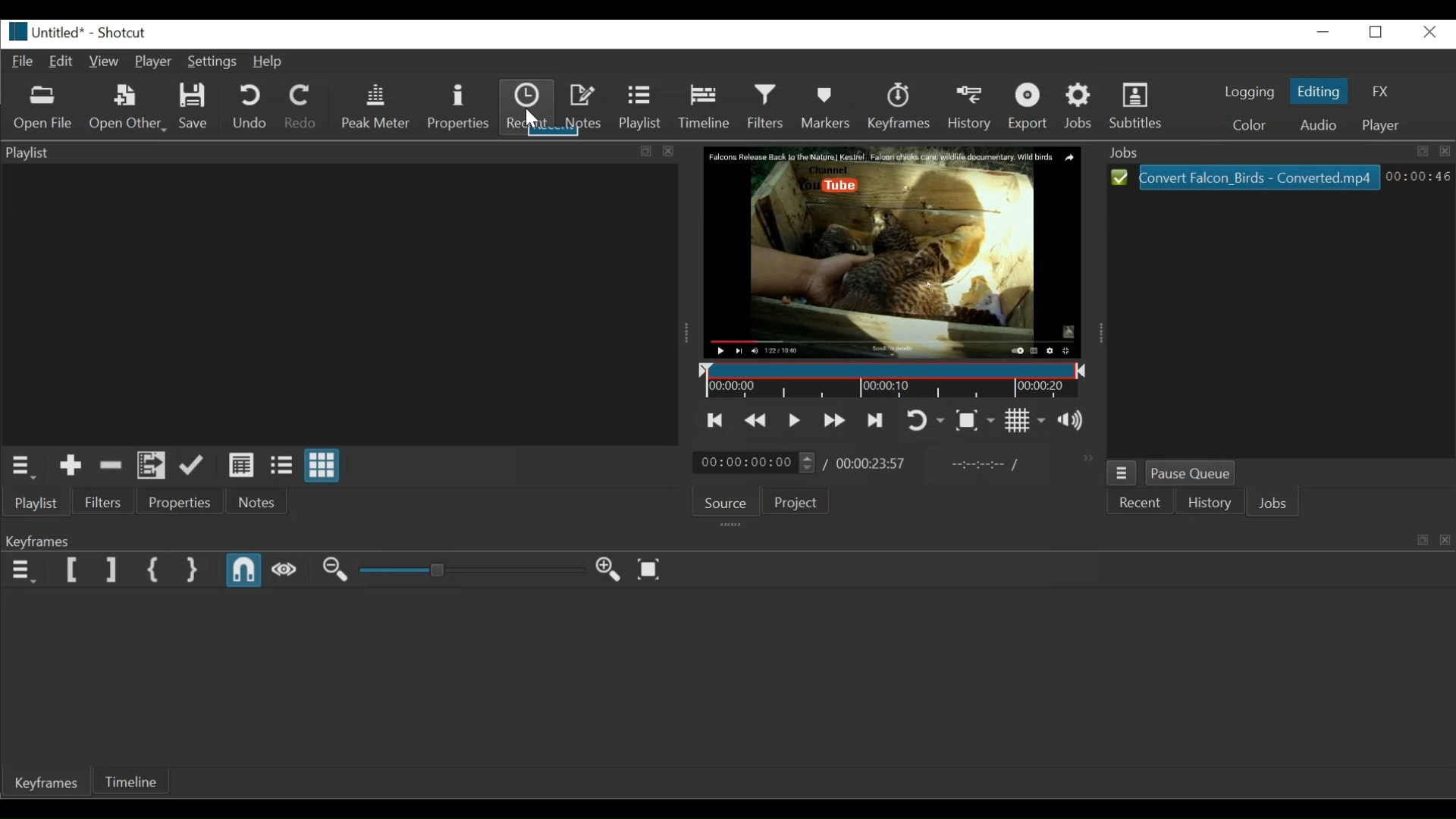 Image resolution: width=1456 pixels, height=819 pixels. I want to click on In point, so click(988, 463).